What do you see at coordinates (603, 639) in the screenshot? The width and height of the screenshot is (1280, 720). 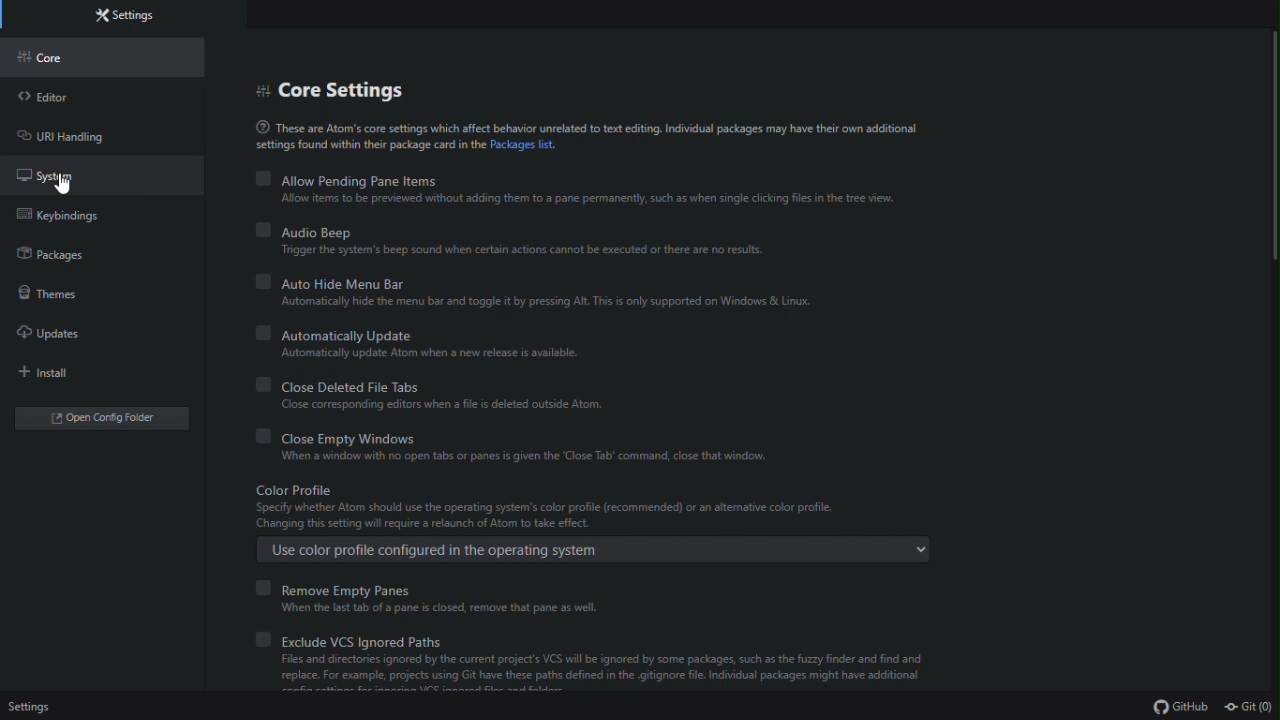 I see `Exclude vcs ignored paths` at bounding box center [603, 639].